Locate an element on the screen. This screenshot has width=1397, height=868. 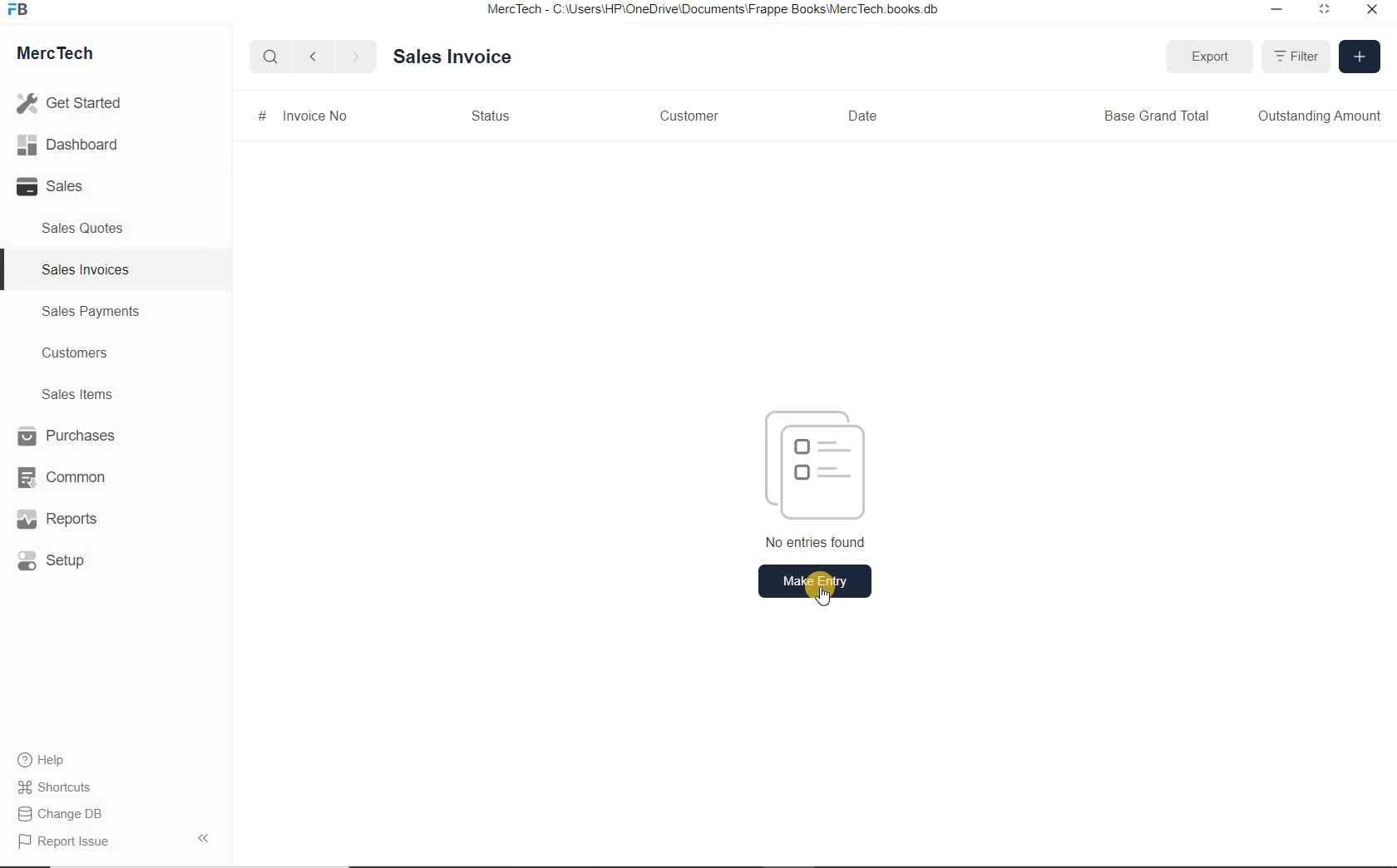
Sales Quotes is located at coordinates (86, 228).